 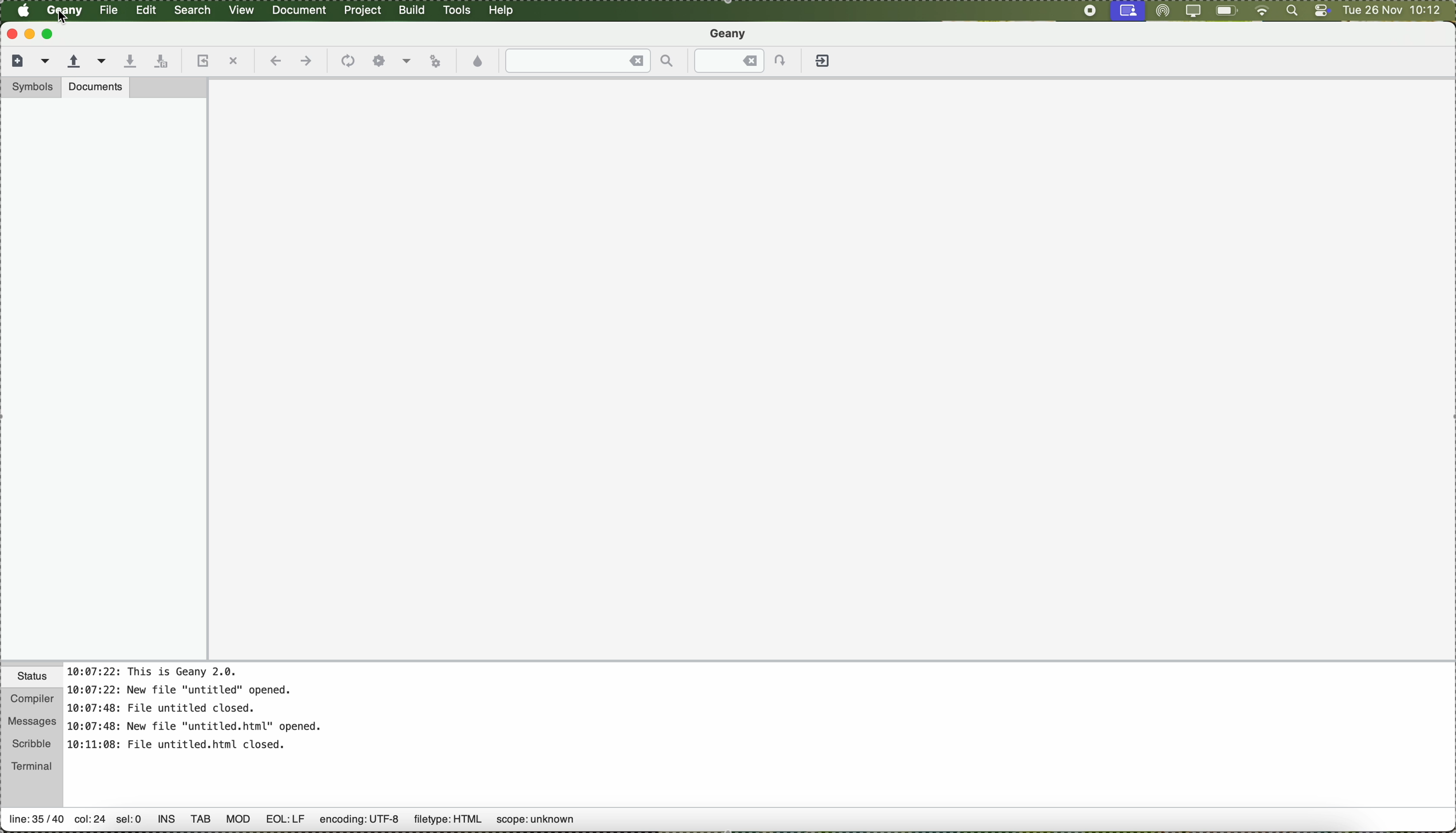 What do you see at coordinates (43, 63) in the screenshot?
I see `create a new file from a template` at bounding box center [43, 63].